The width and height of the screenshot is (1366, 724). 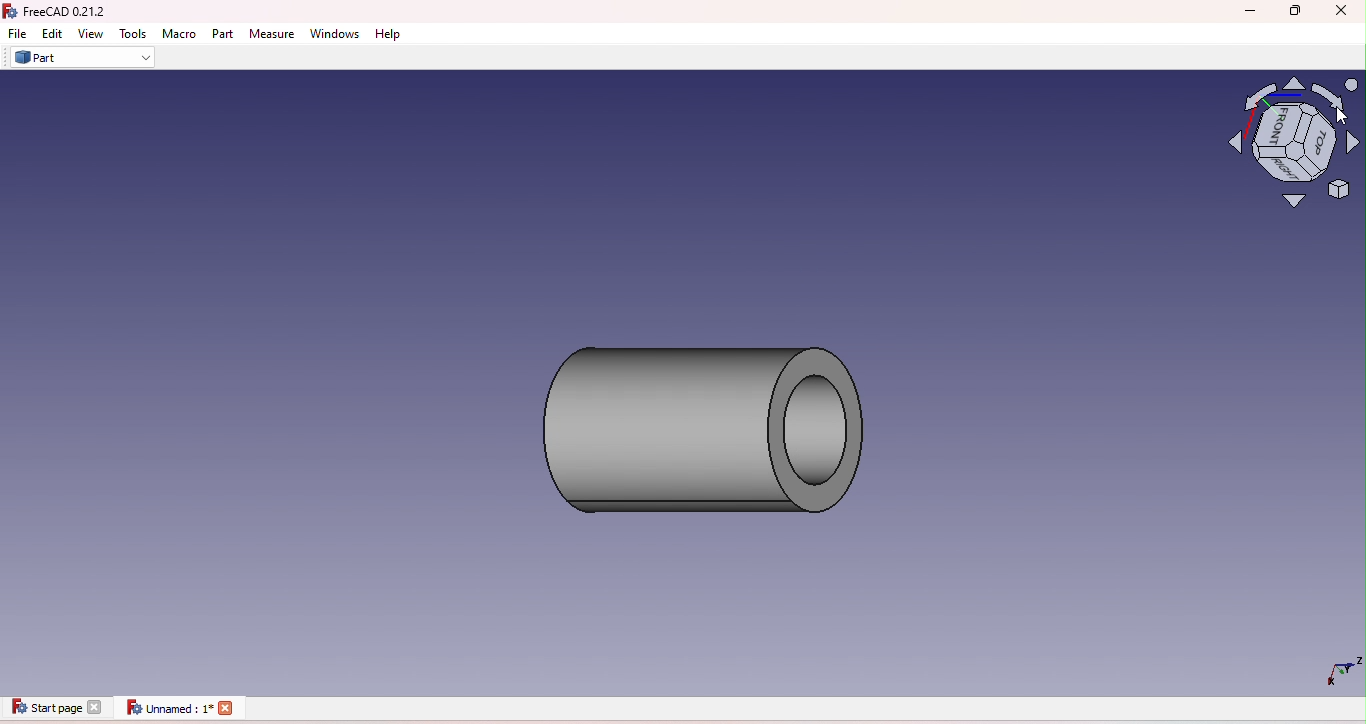 What do you see at coordinates (392, 34) in the screenshot?
I see `Help` at bounding box center [392, 34].